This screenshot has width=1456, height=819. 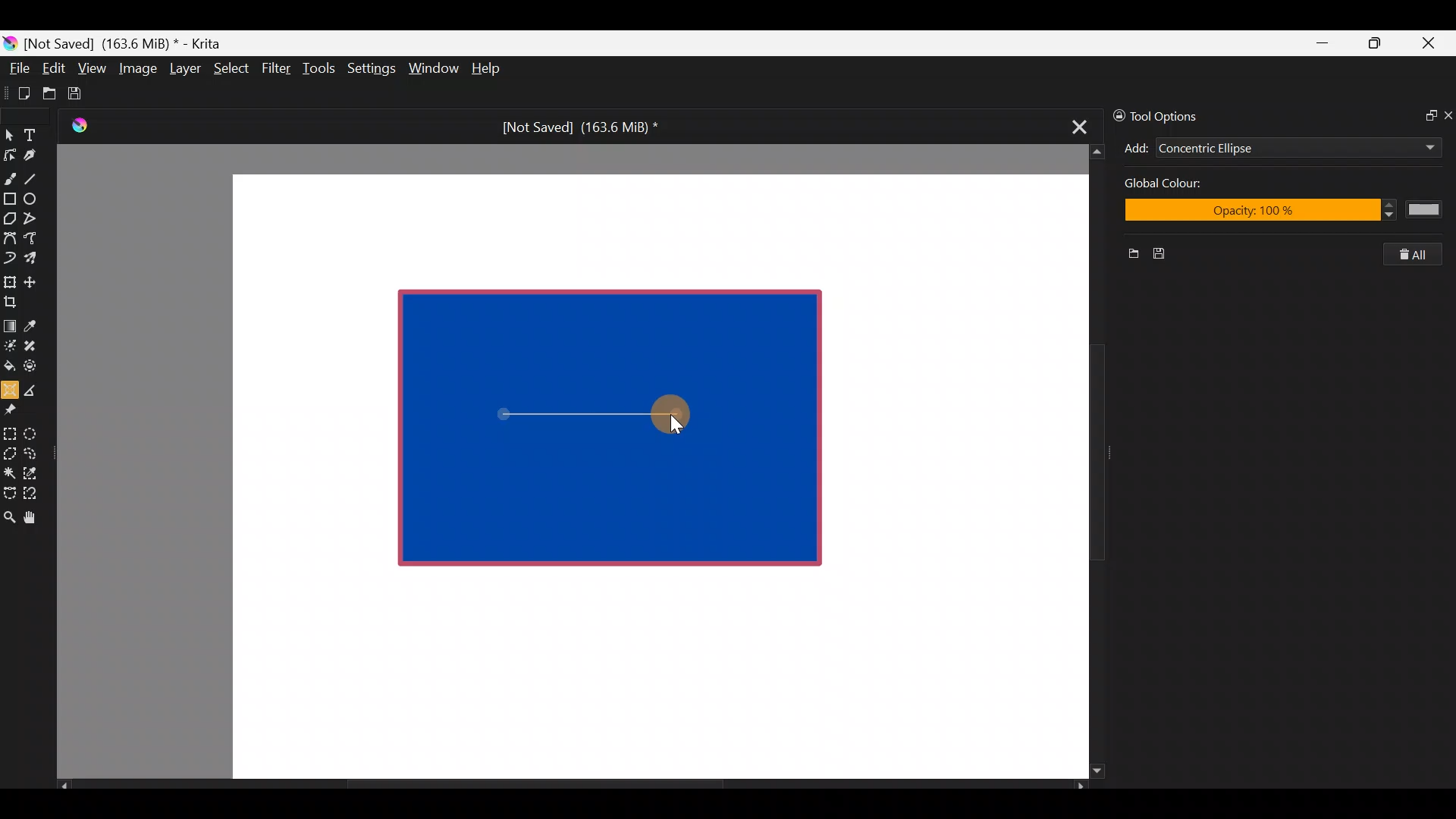 What do you see at coordinates (9, 516) in the screenshot?
I see `Zoom tool` at bounding box center [9, 516].